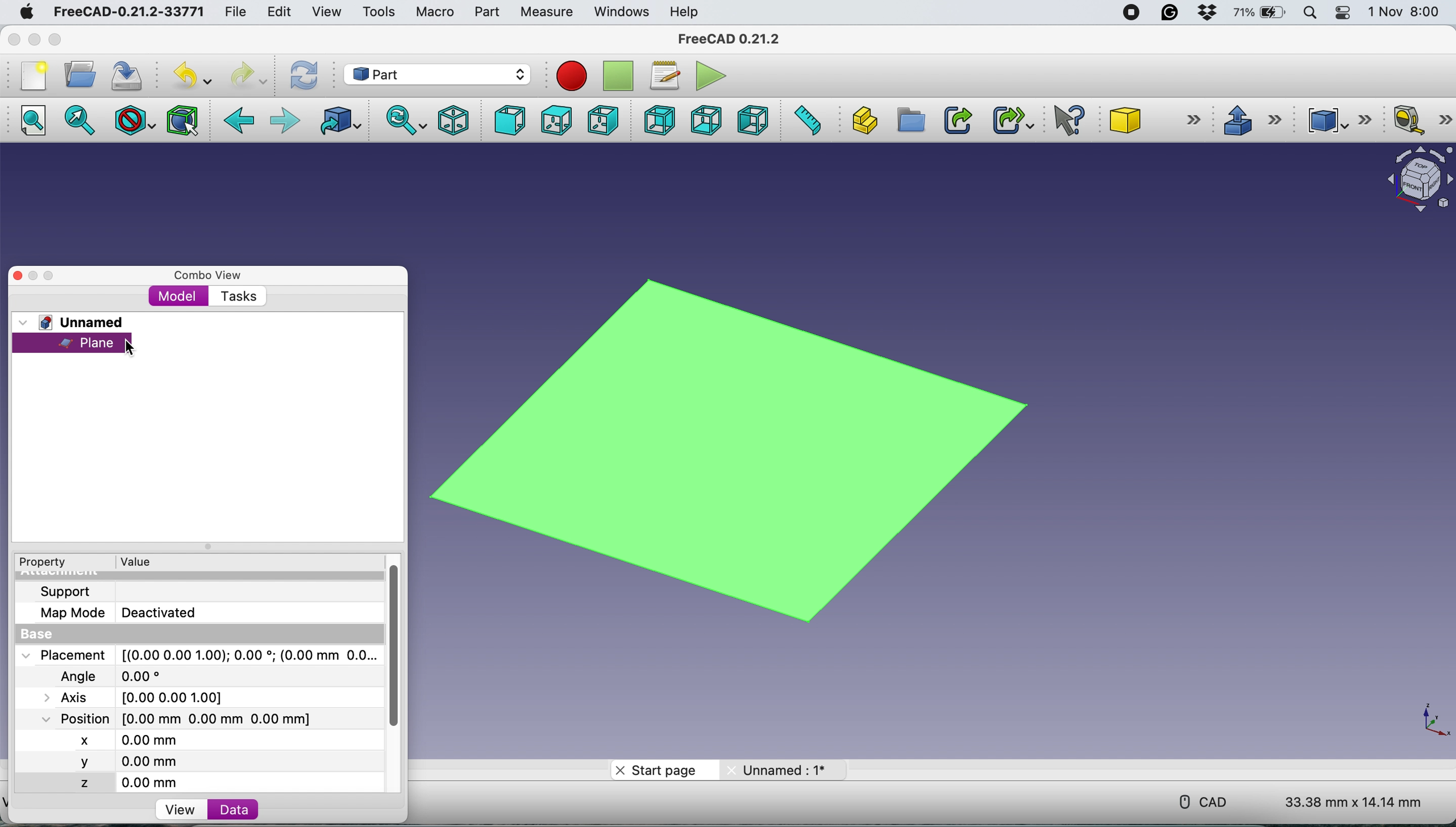 This screenshot has height=827, width=1456. Describe the element at coordinates (377, 12) in the screenshot. I see `tools` at that location.